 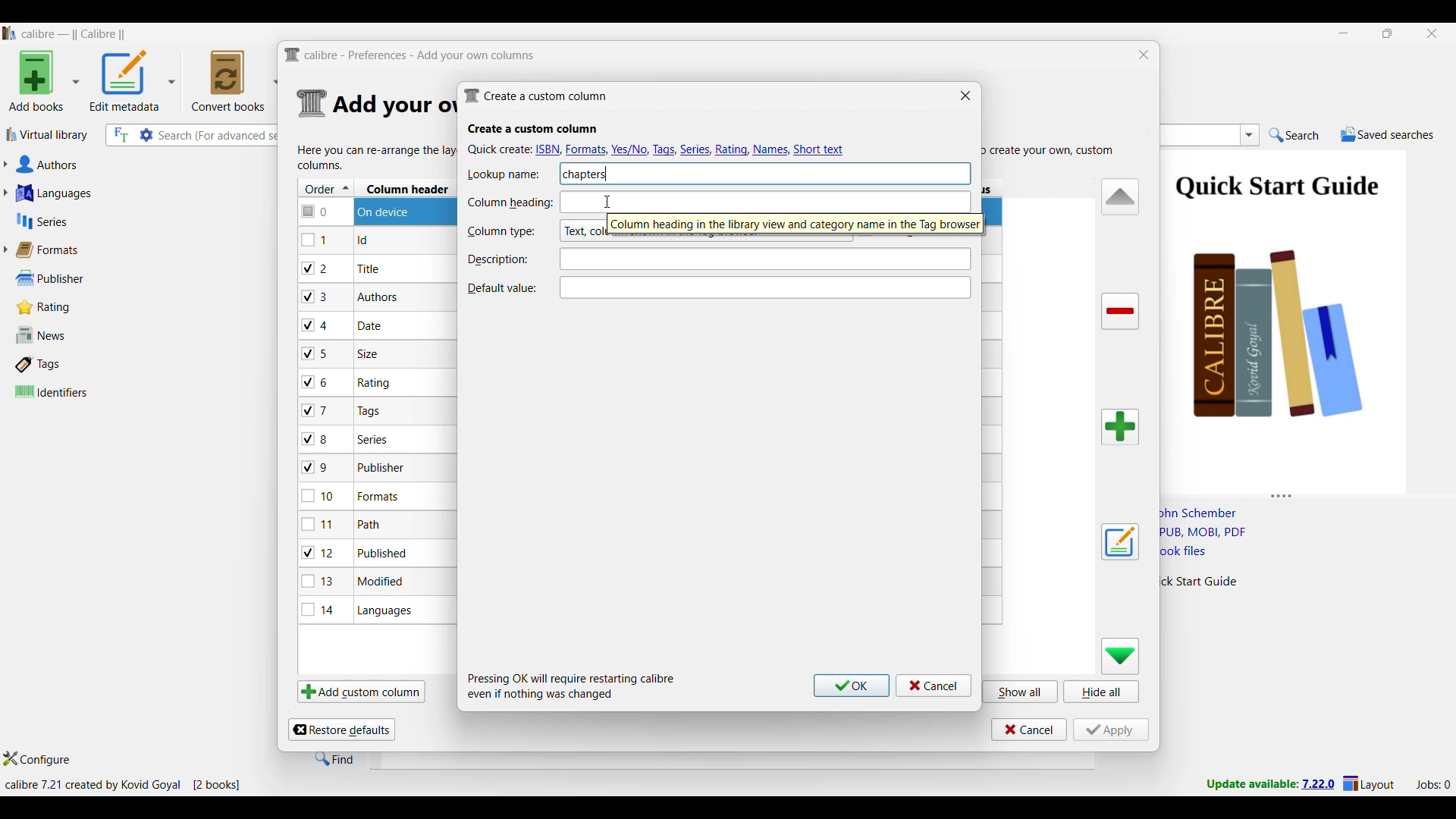 I want to click on Section details, so click(x=392, y=105).